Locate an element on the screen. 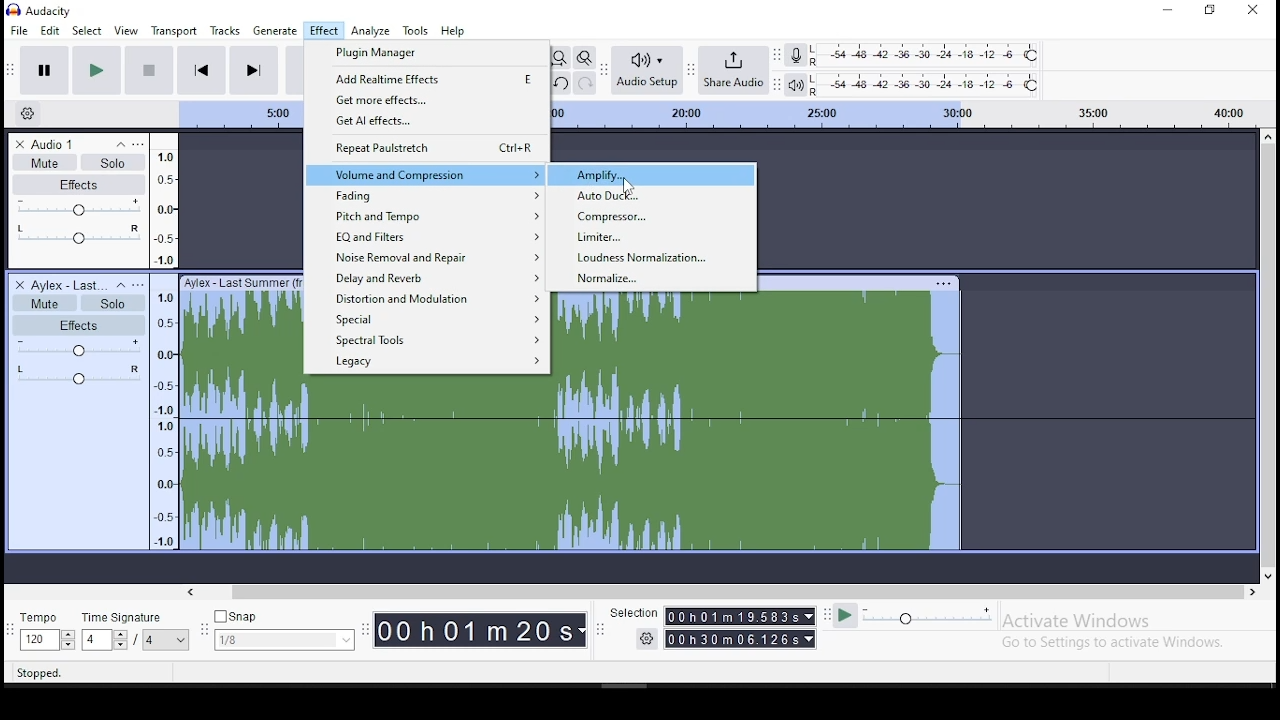  effects is located at coordinates (79, 185).